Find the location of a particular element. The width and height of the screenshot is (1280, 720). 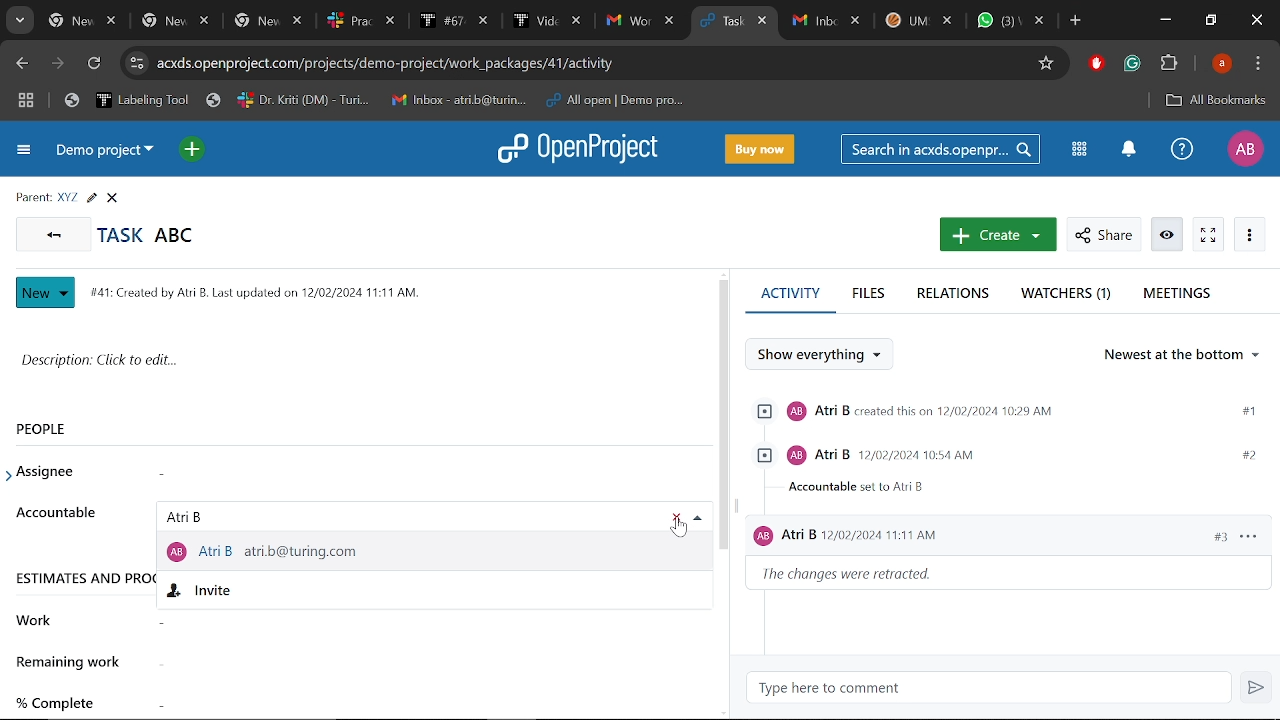

Search tabs is located at coordinates (20, 20).